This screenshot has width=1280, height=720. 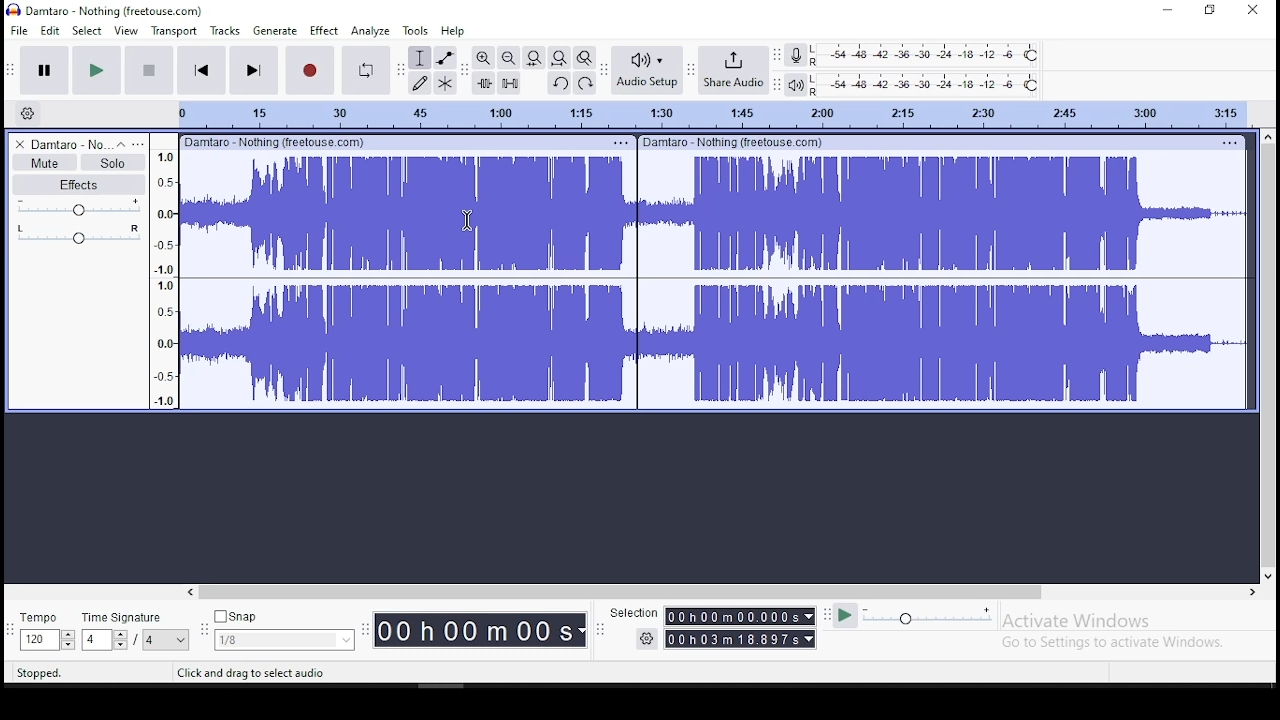 What do you see at coordinates (794, 56) in the screenshot?
I see `record meter` at bounding box center [794, 56].